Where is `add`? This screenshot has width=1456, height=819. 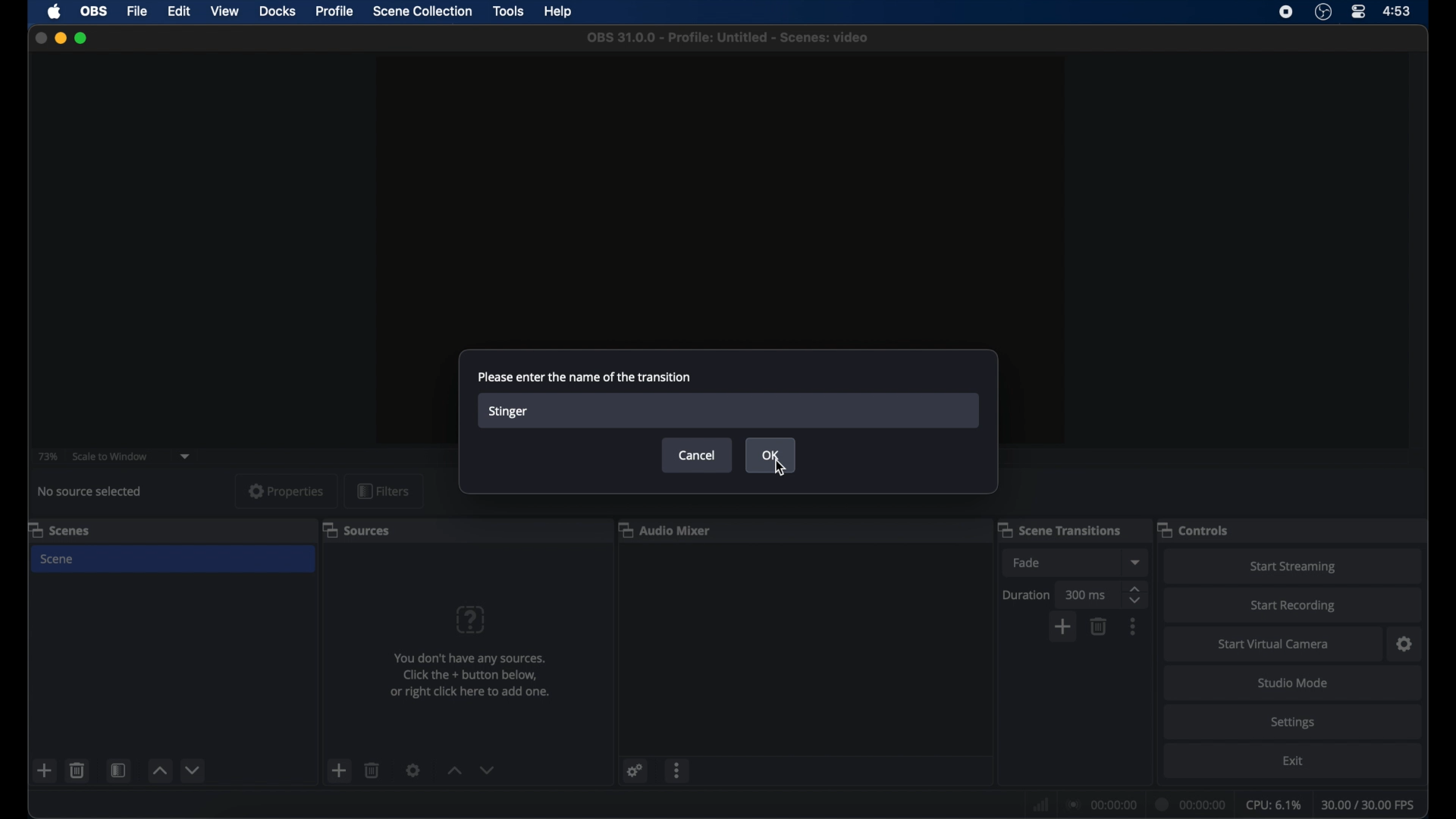 add is located at coordinates (1065, 625).